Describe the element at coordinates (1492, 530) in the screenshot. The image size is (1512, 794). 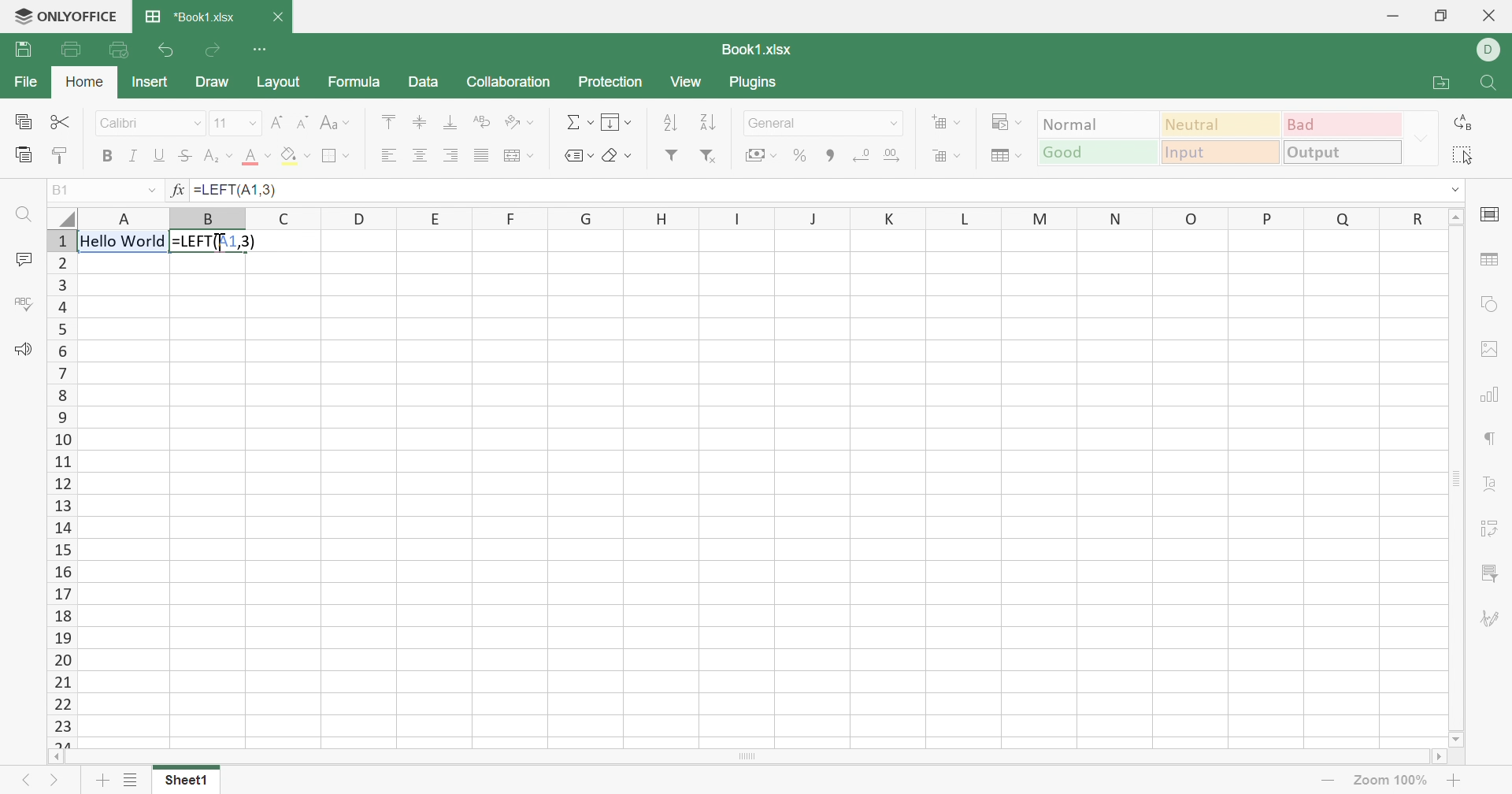
I see `Pivot table settings` at that location.